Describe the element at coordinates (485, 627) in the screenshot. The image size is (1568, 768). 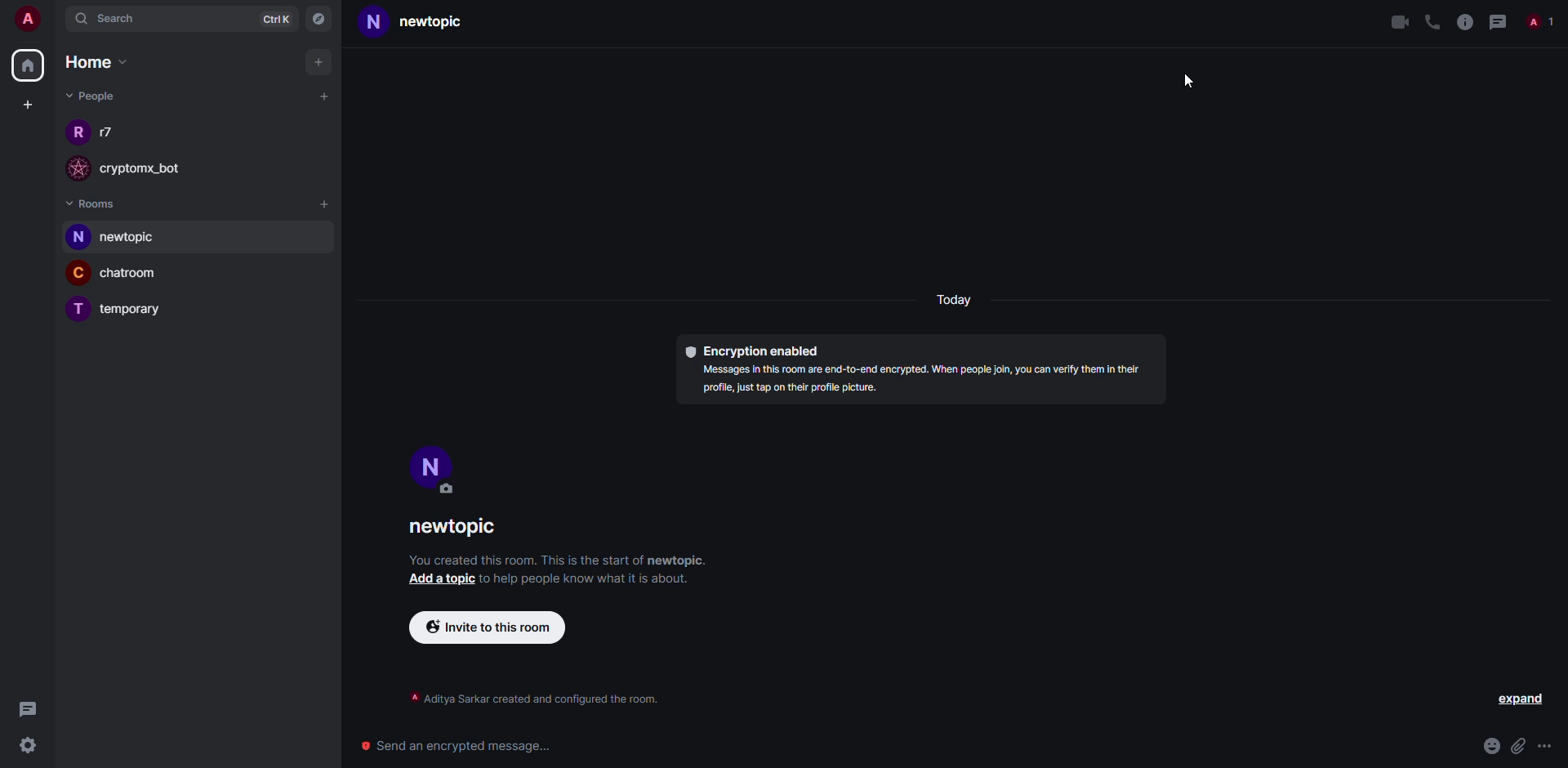
I see `invite to this room` at that location.